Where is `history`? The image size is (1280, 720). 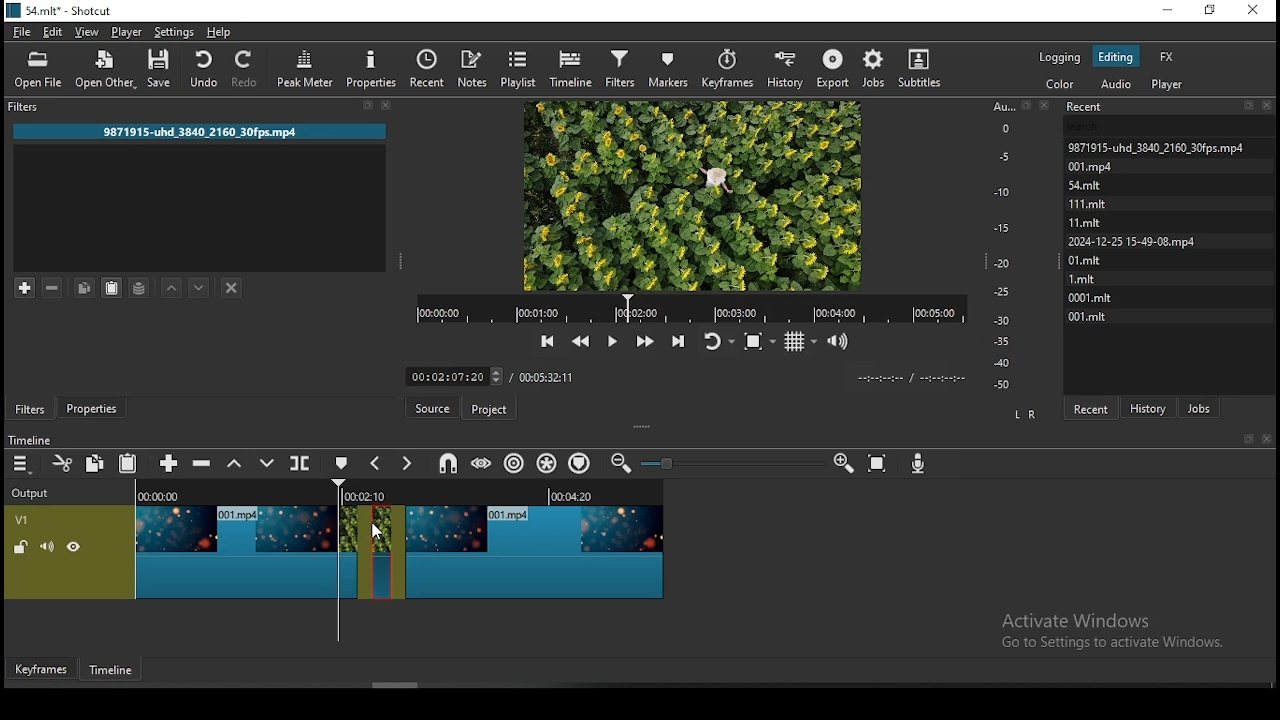 history is located at coordinates (1150, 407).